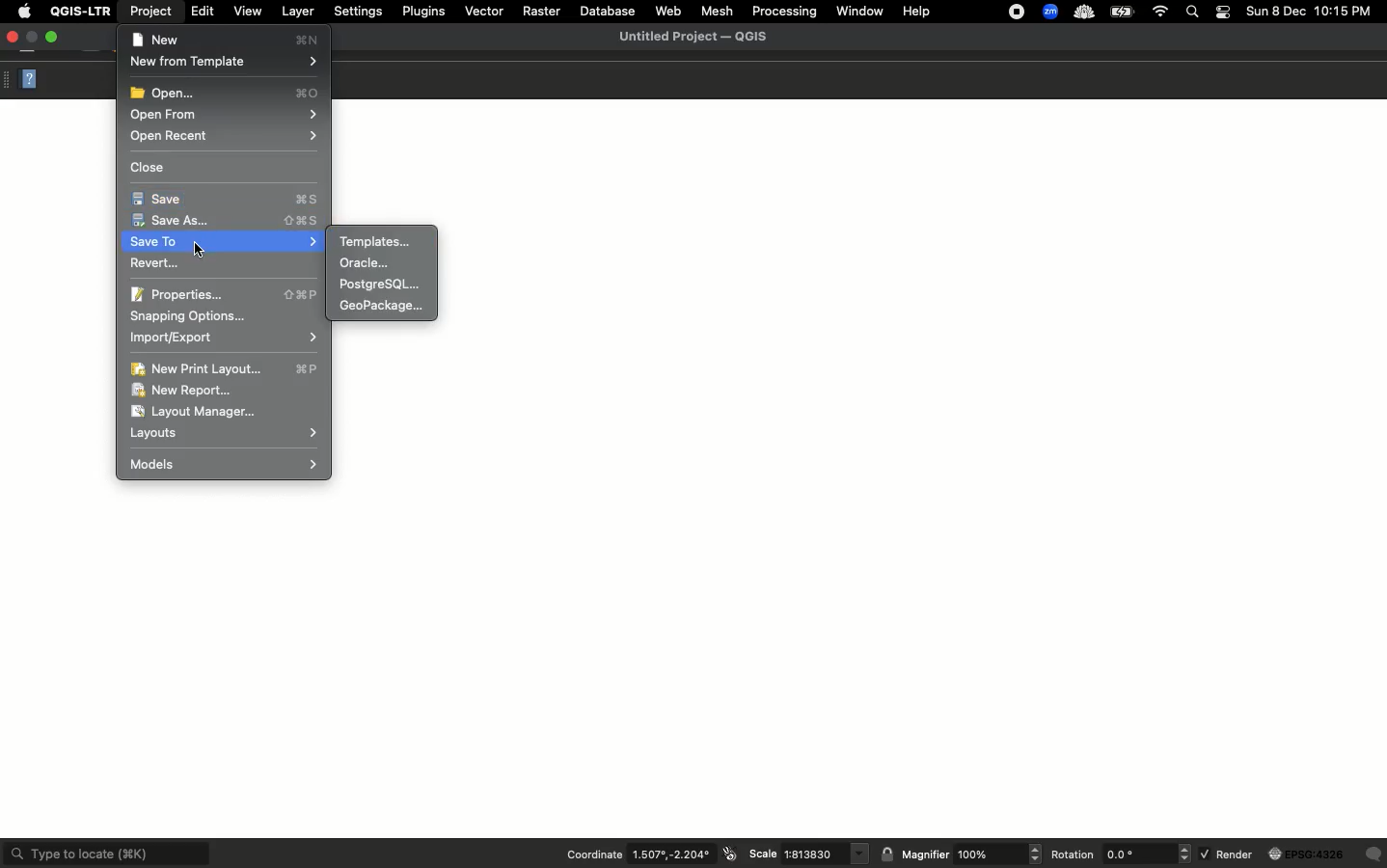 This screenshot has height=868, width=1387. Describe the element at coordinates (386, 308) in the screenshot. I see `GeoPackage` at that location.